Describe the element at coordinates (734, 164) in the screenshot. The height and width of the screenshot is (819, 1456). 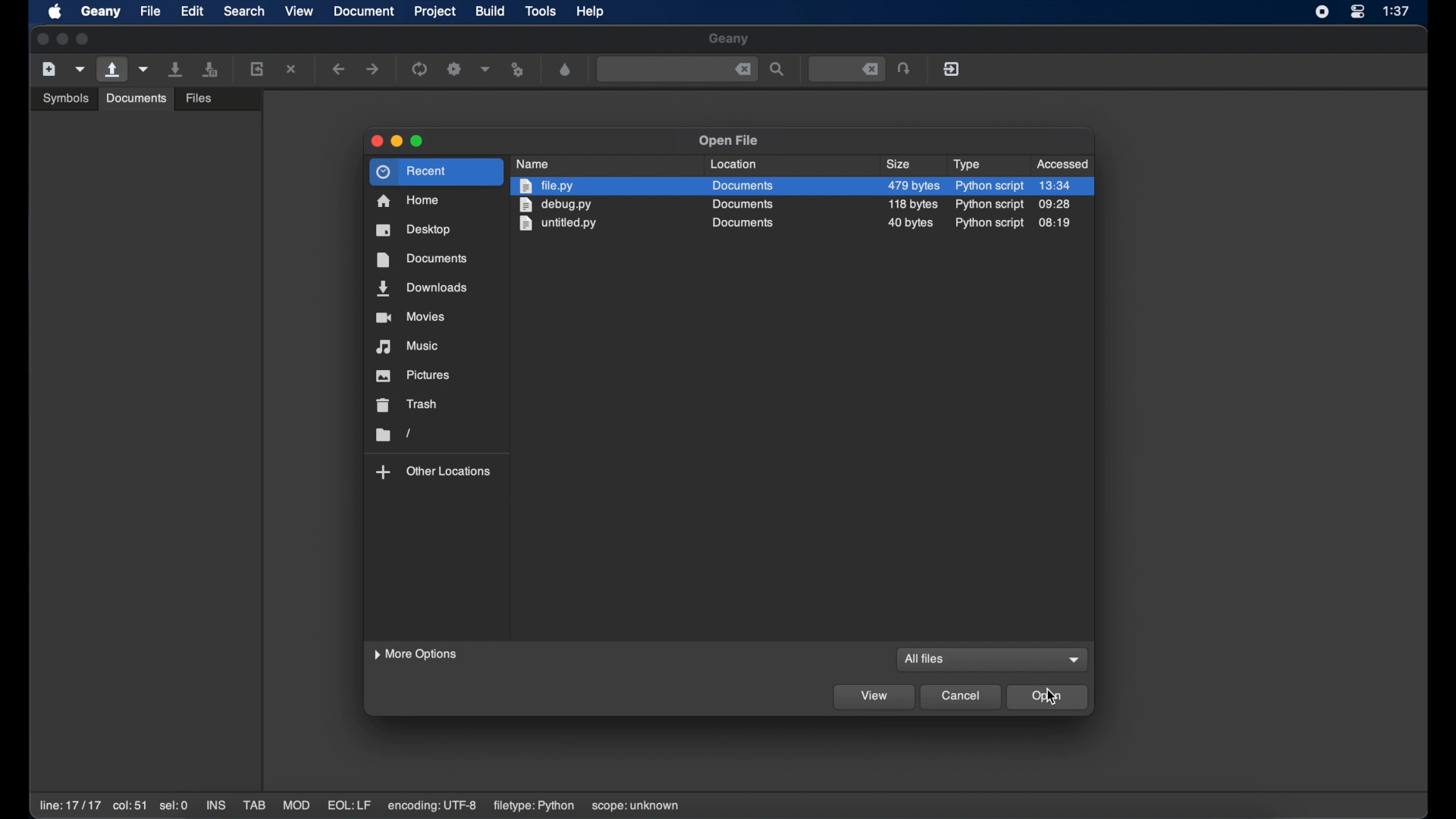
I see `location` at that location.